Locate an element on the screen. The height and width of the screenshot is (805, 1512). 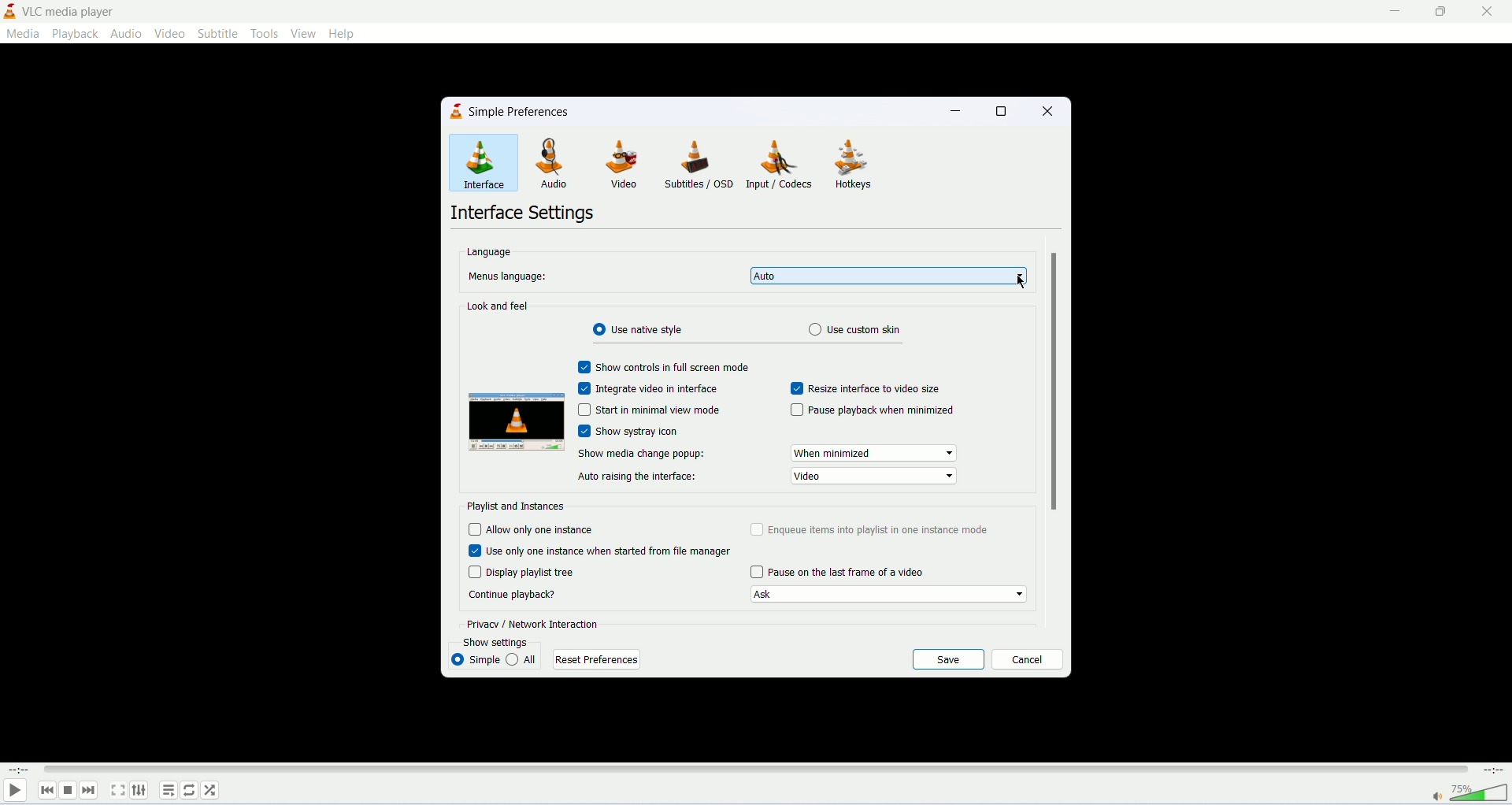
use only one instance when started from file manager is located at coordinates (603, 550).